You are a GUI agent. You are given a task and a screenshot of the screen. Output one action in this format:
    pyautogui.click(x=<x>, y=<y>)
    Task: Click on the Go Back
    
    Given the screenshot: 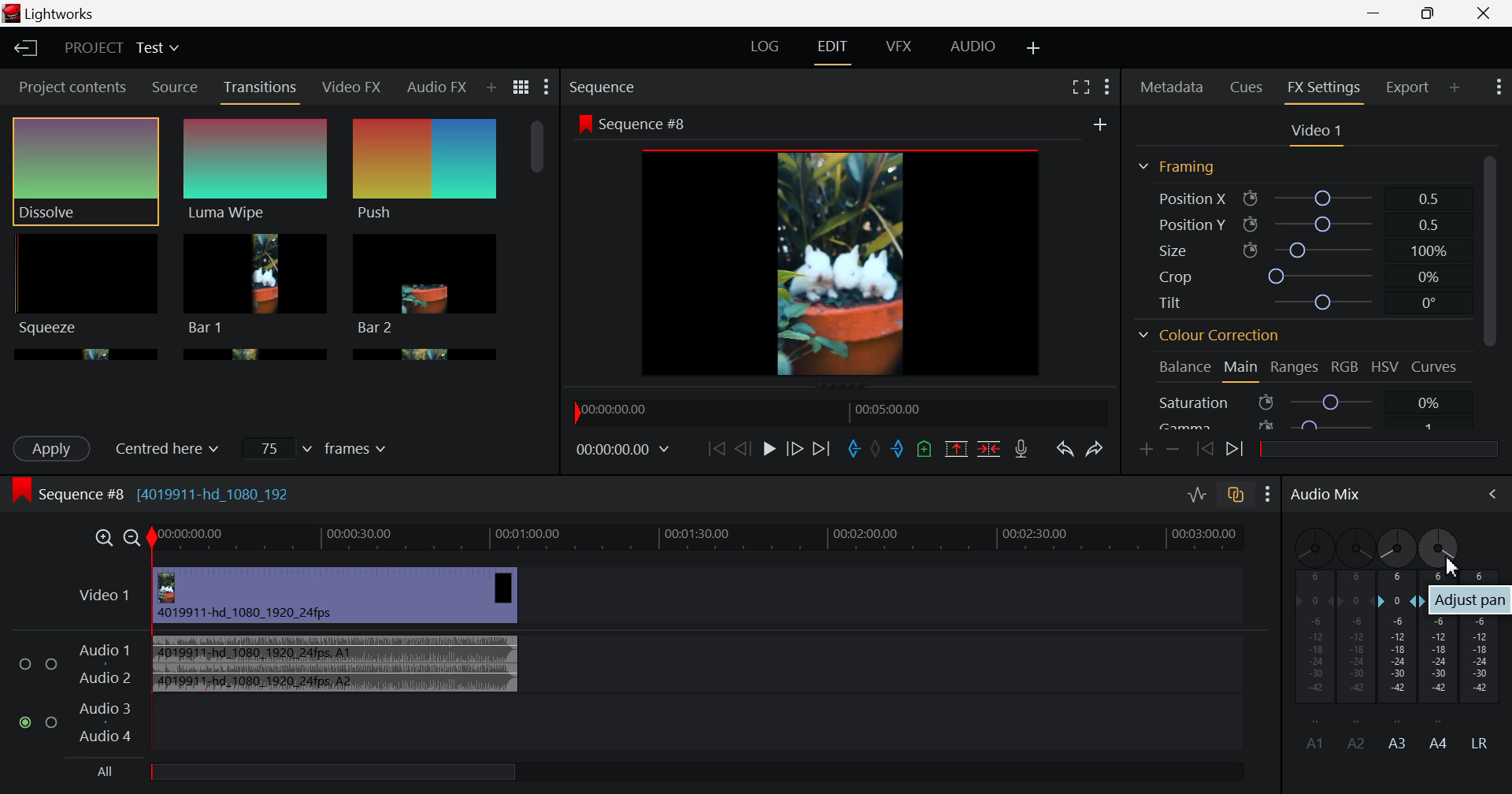 What is the action you would take?
    pyautogui.click(x=741, y=450)
    